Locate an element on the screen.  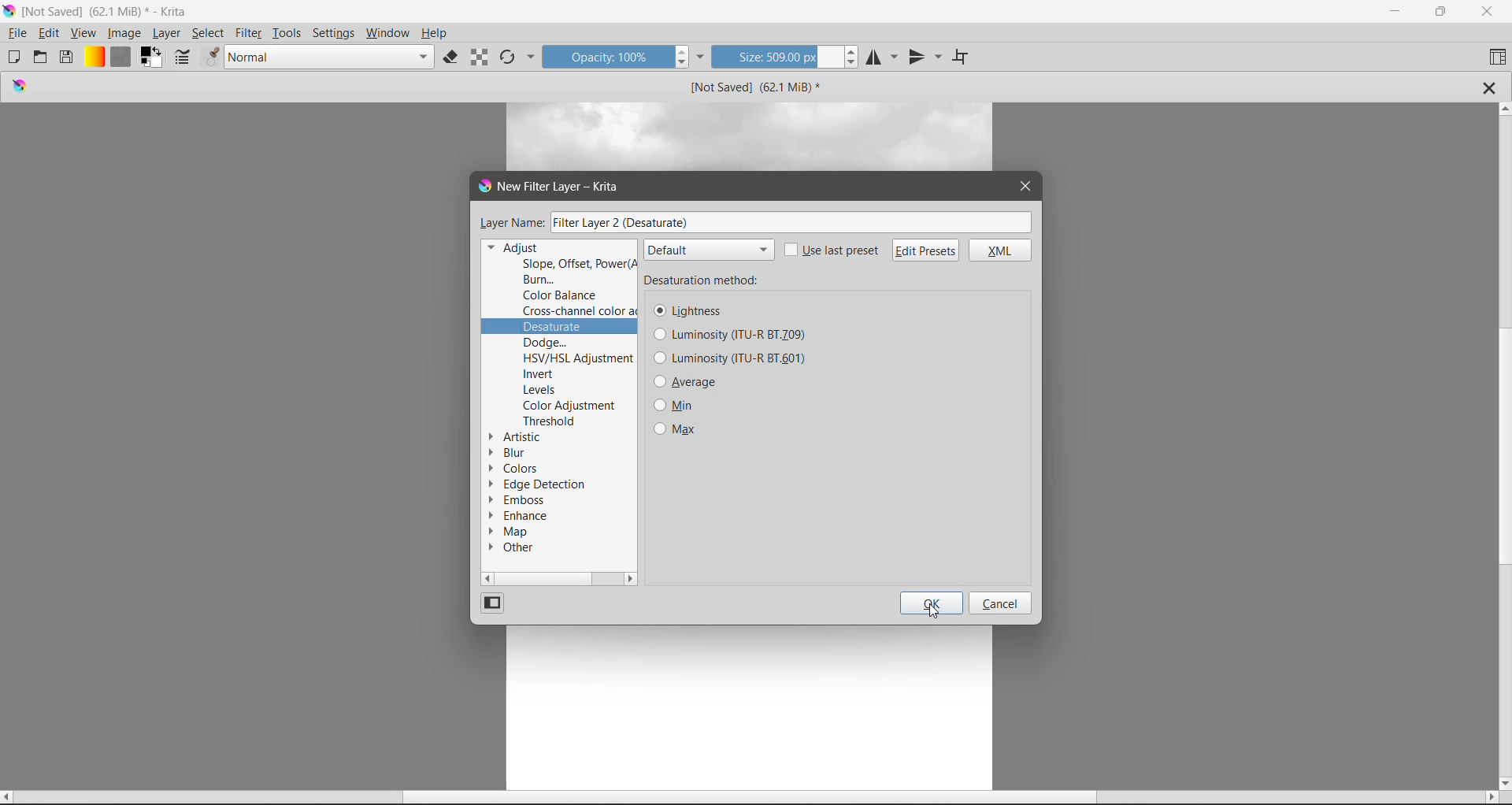
Cancel is located at coordinates (1000, 604).